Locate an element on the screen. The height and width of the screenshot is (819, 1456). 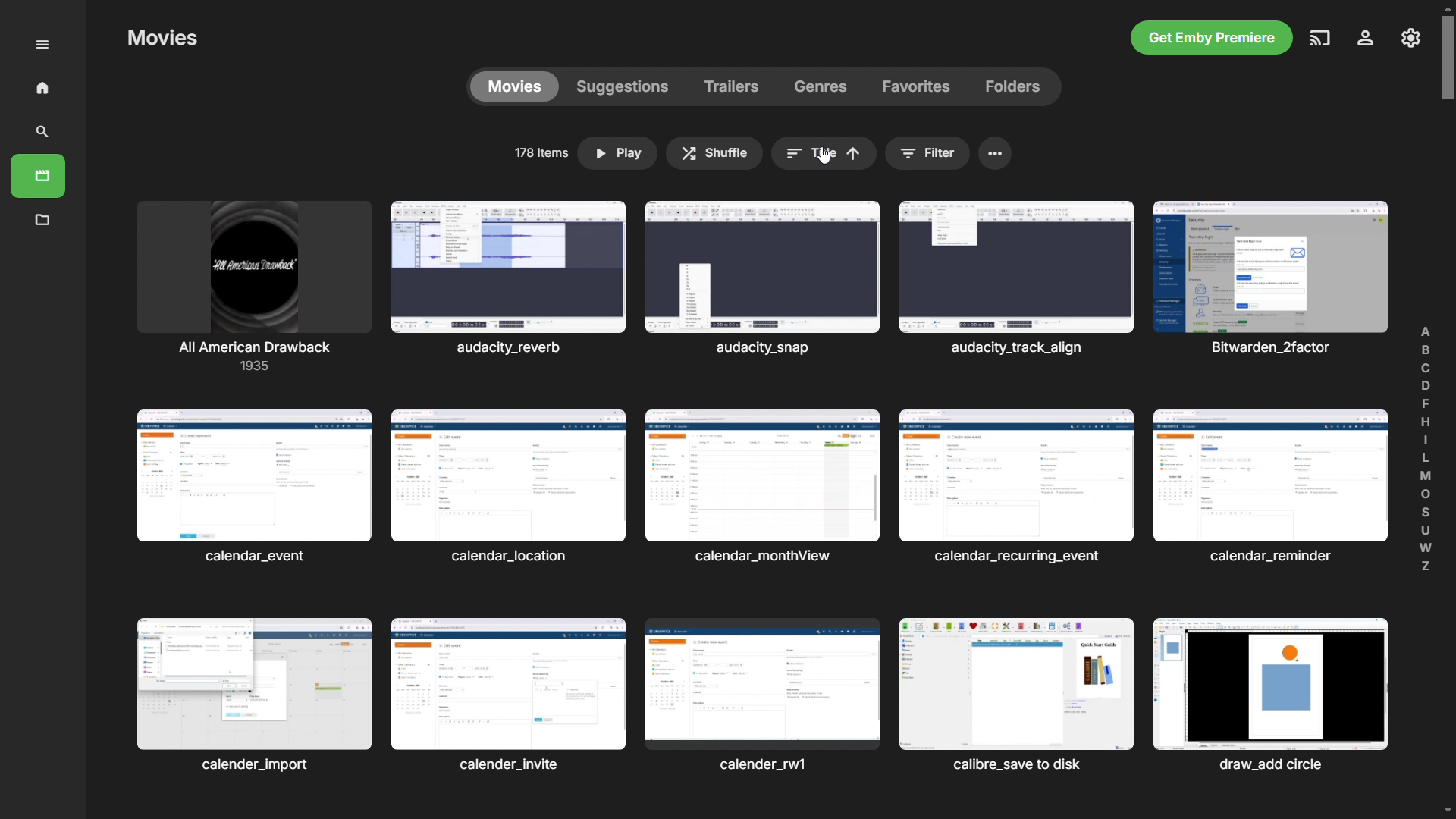
settings is located at coordinates (1410, 37).